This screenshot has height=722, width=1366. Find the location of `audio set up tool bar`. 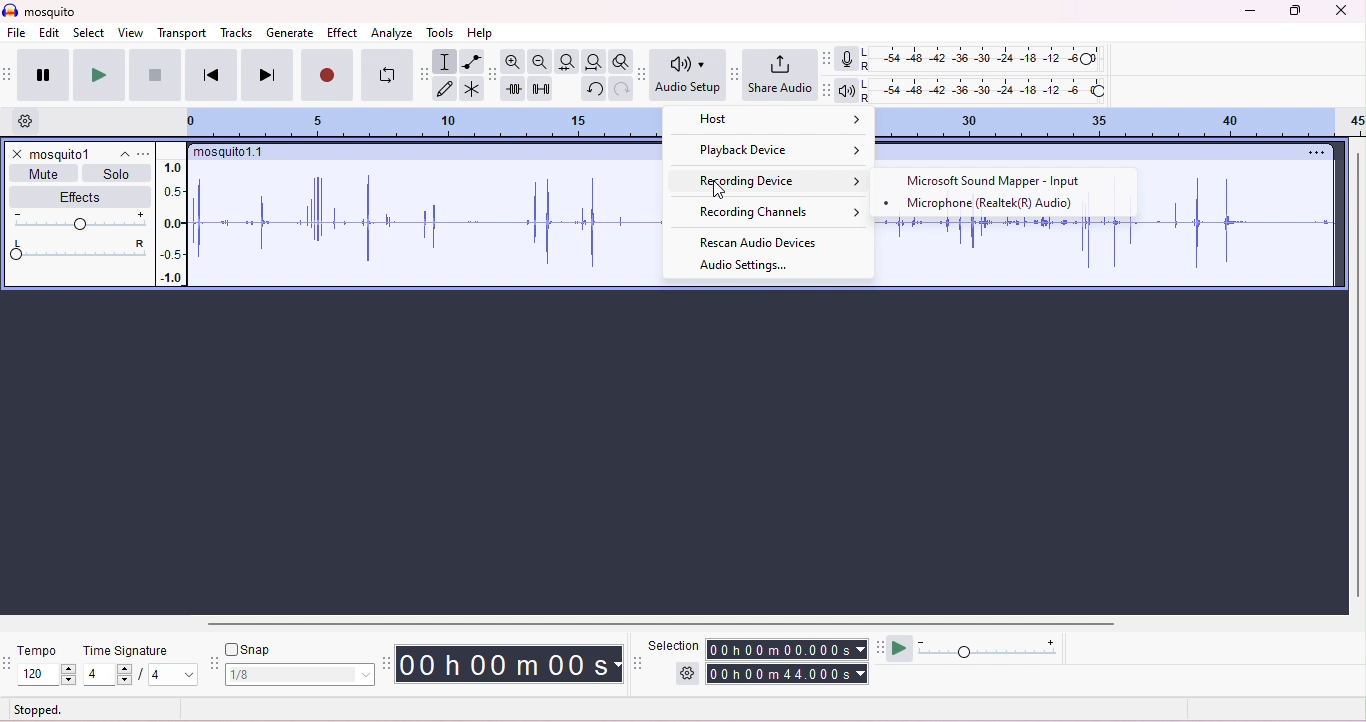

audio set up tool bar is located at coordinates (826, 90).